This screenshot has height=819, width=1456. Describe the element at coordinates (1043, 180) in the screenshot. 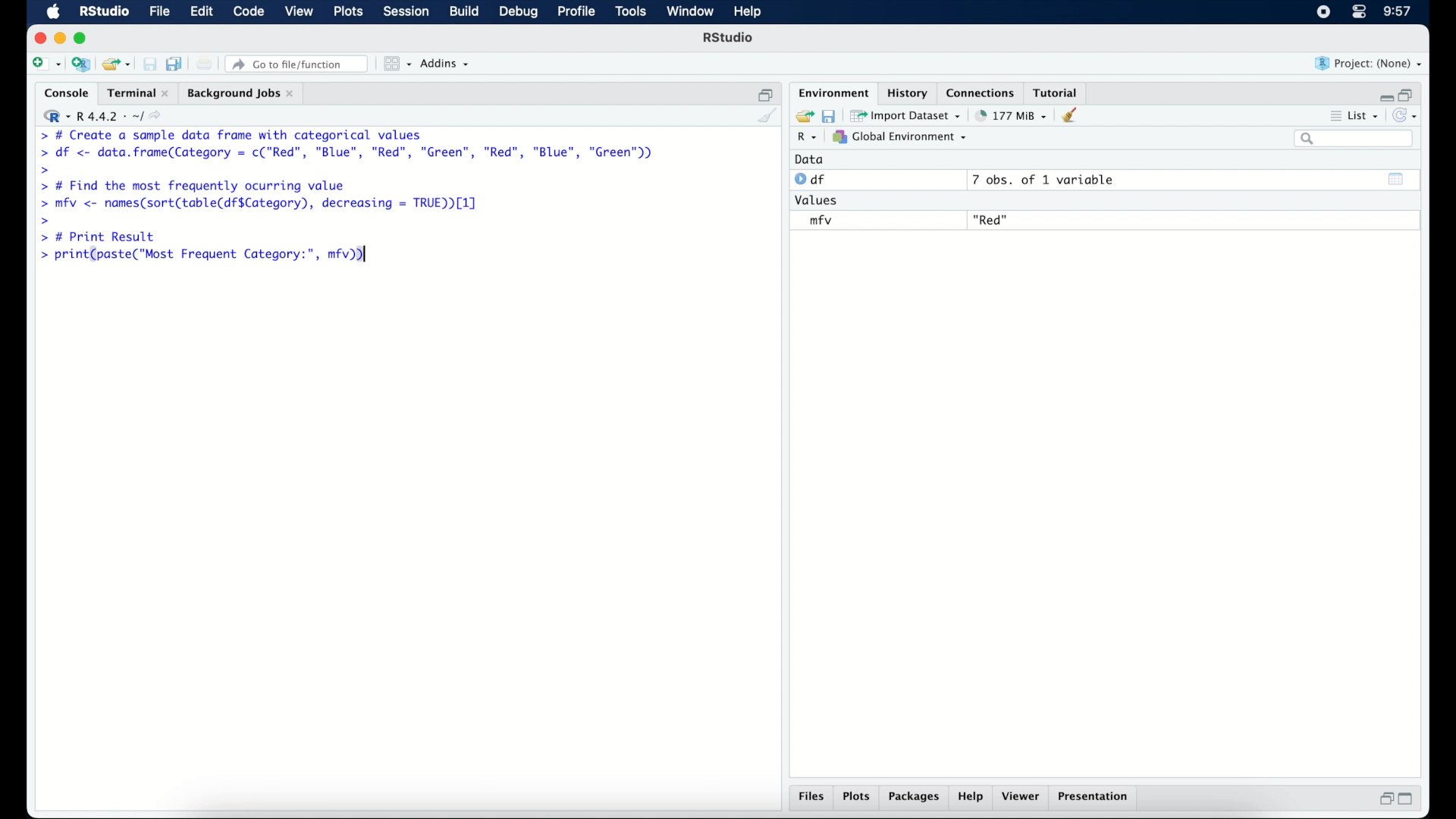

I see `7 obs, of 1 variable` at that location.